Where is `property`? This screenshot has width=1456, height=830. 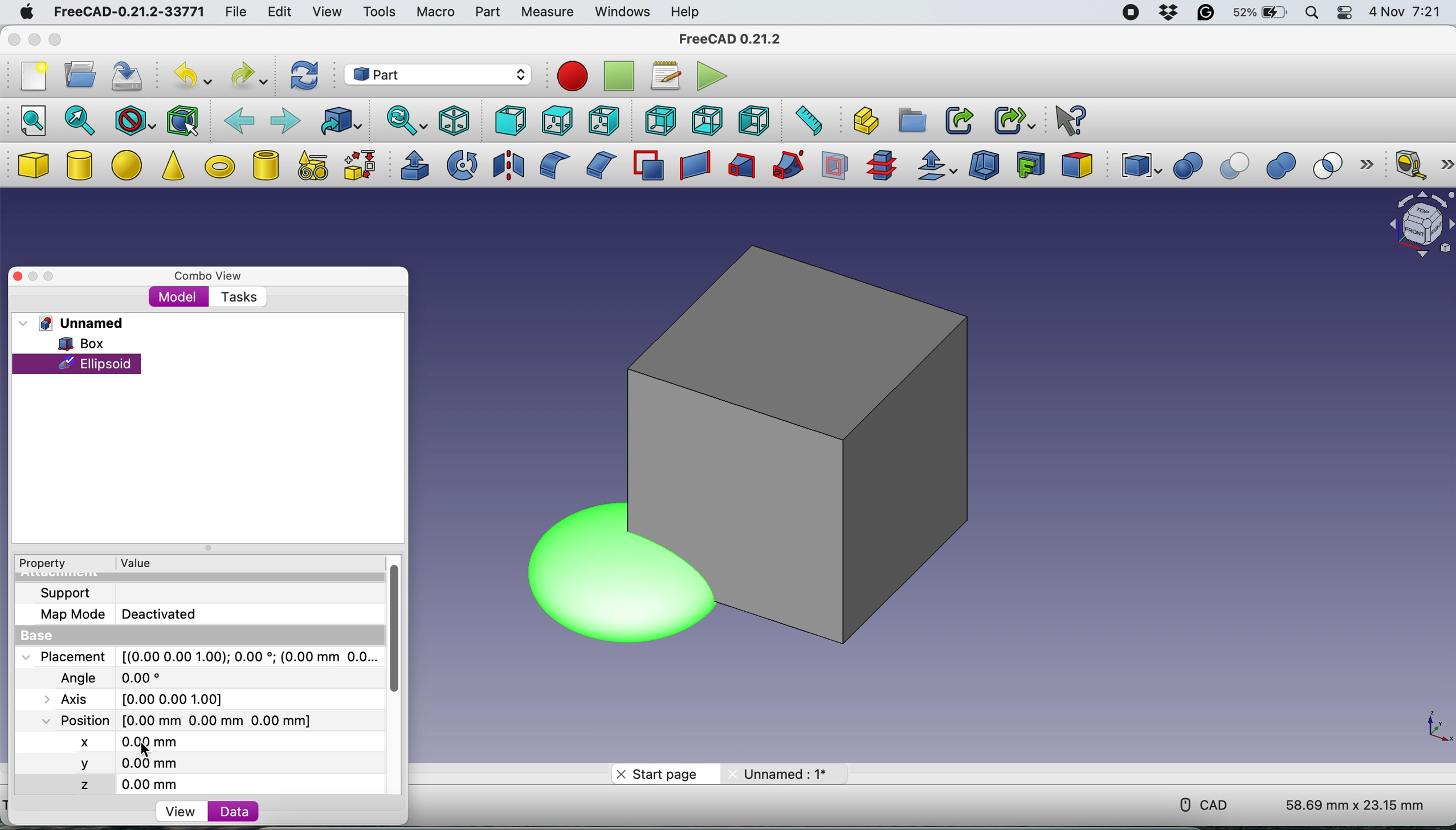 property is located at coordinates (41, 564).